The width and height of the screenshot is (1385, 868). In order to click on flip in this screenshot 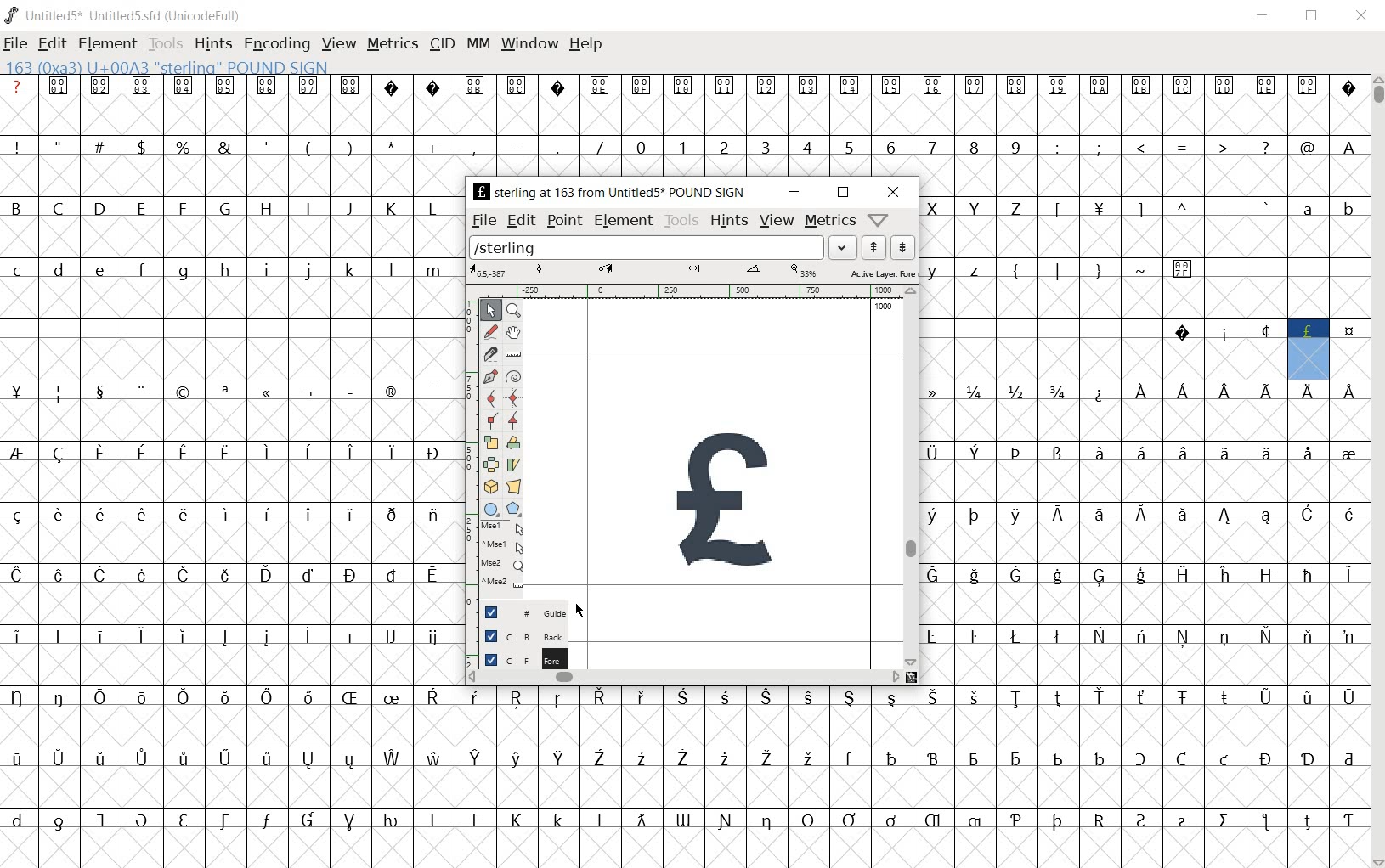, I will do `click(491, 462)`.